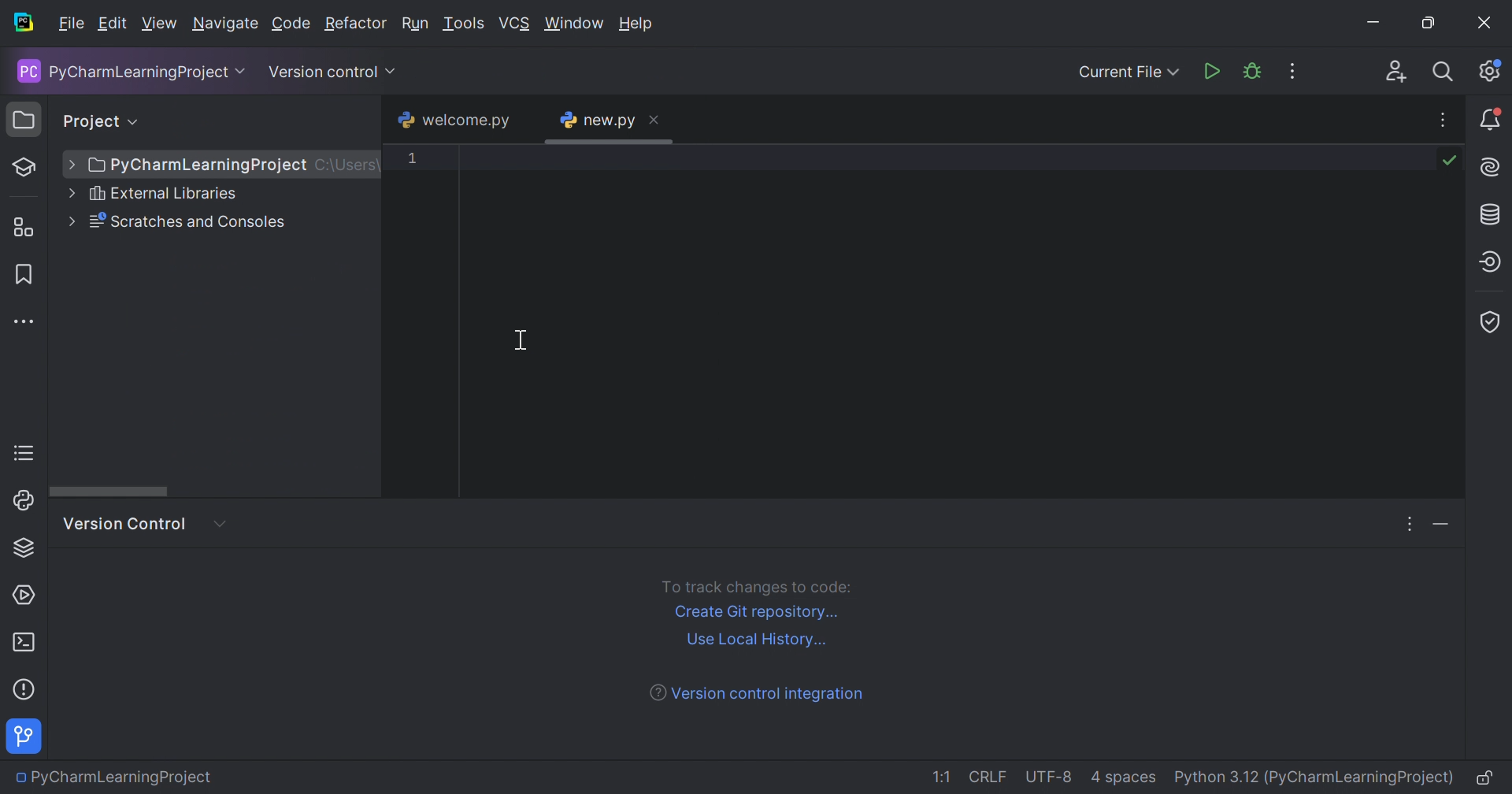 Image resolution: width=1512 pixels, height=794 pixels. What do you see at coordinates (1377, 22) in the screenshot?
I see `Minimize` at bounding box center [1377, 22].